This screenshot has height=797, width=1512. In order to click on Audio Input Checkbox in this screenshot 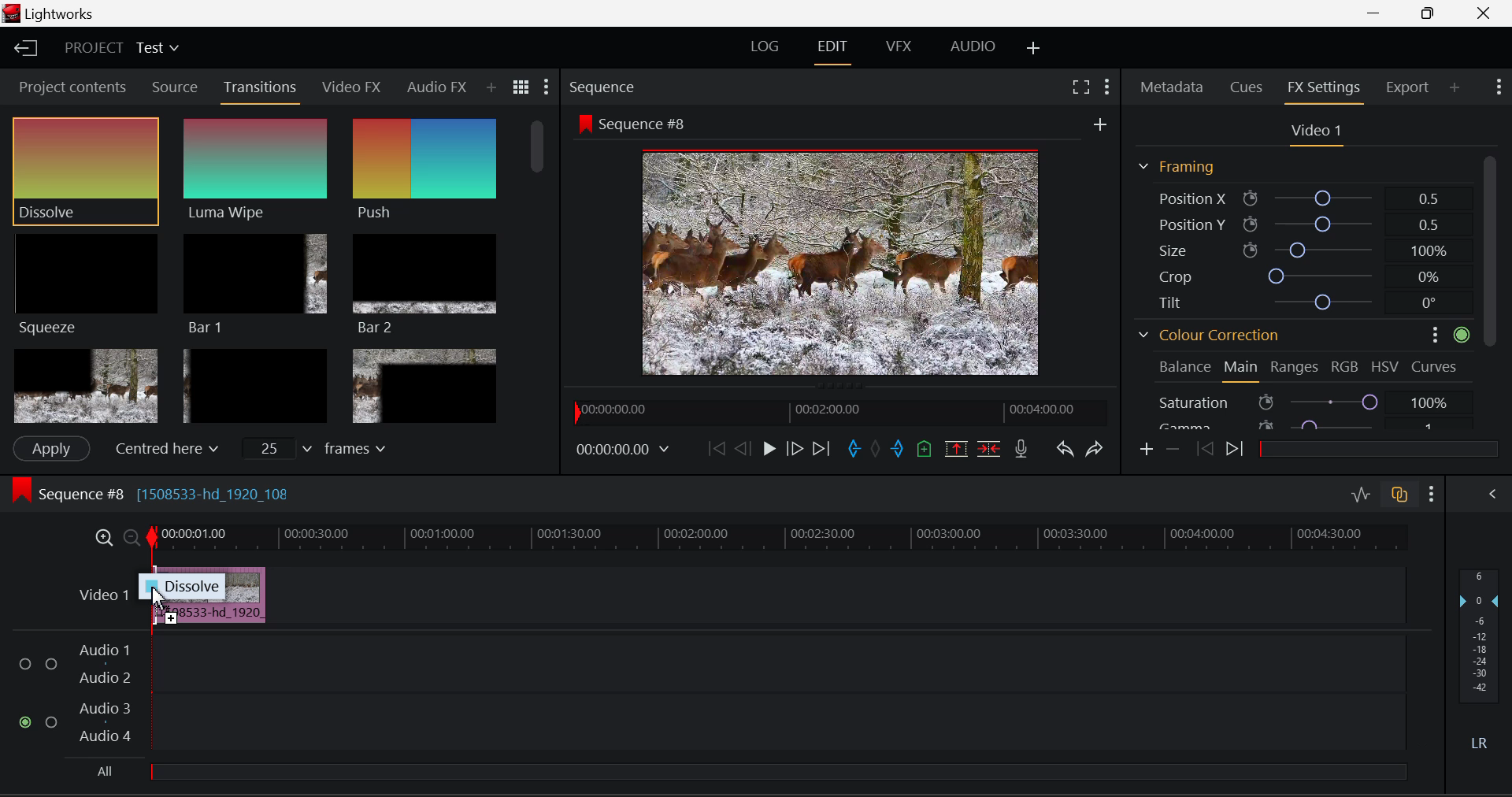, I will do `click(51, 721)`.